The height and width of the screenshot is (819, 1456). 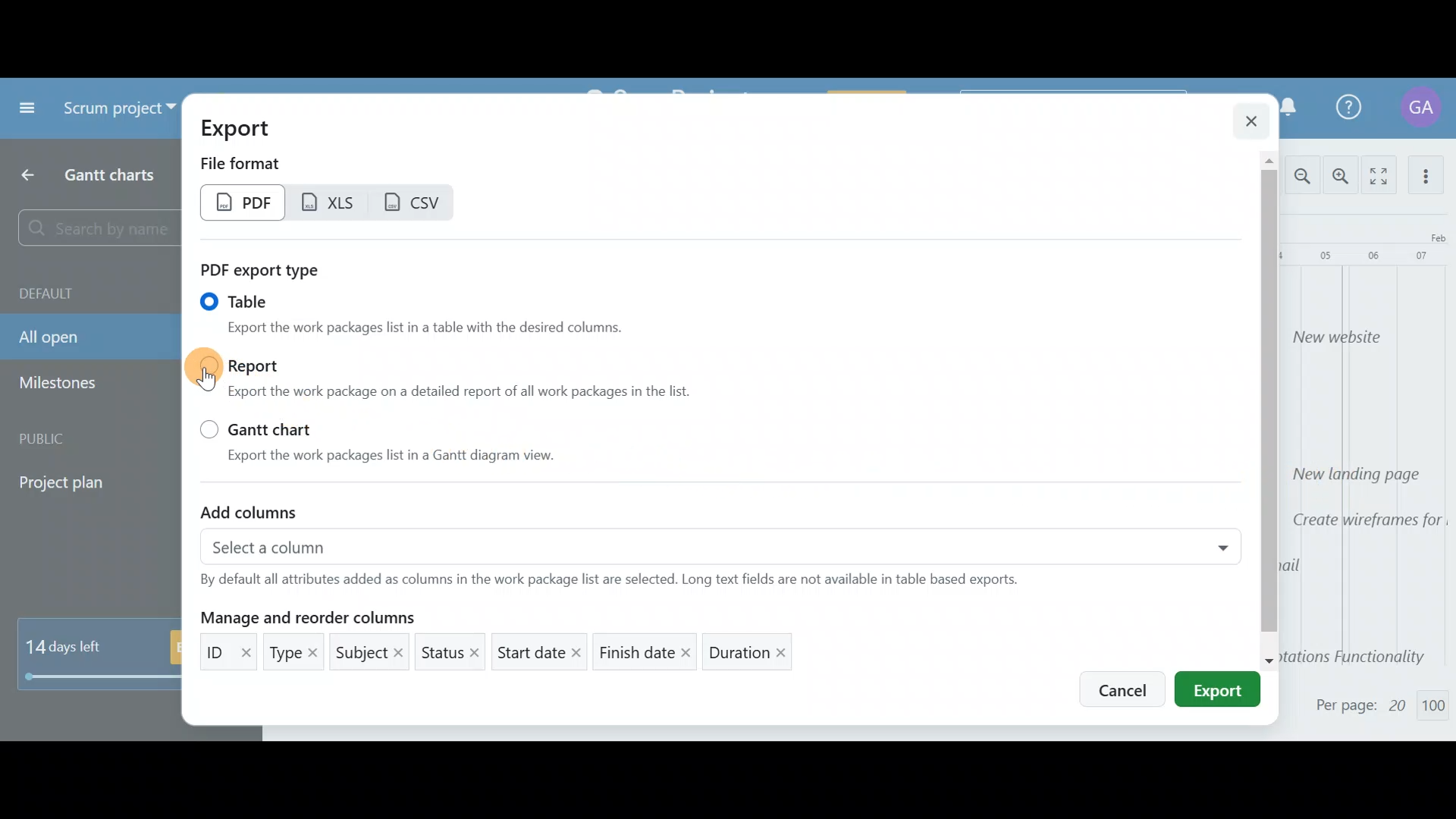 What do you see at coordinates (1429, 174) in the screenshot?
I see `More actions` at bounding box center [1429, 174].